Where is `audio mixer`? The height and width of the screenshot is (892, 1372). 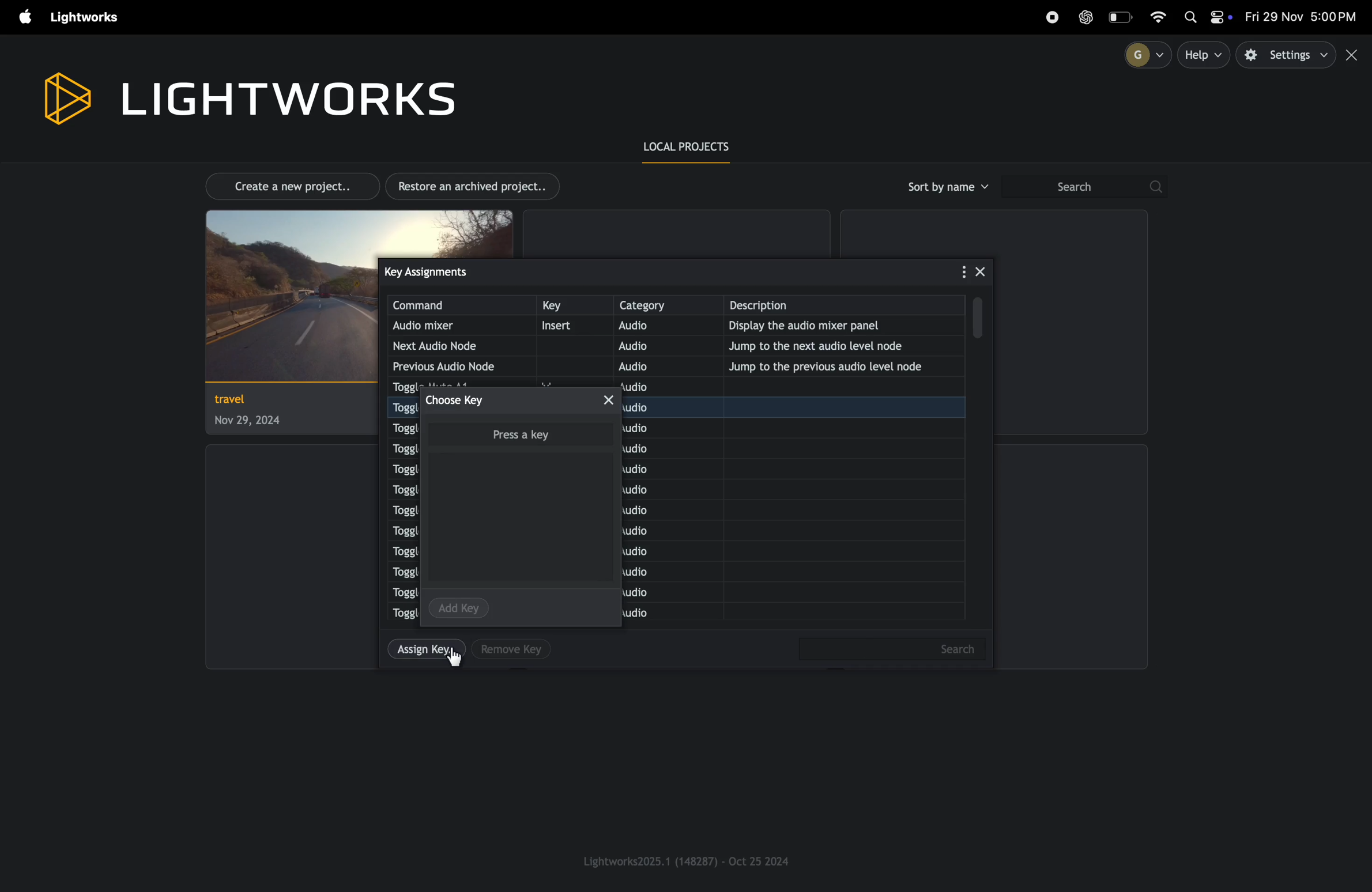 audio mixer is located at coordinates (447, 326).